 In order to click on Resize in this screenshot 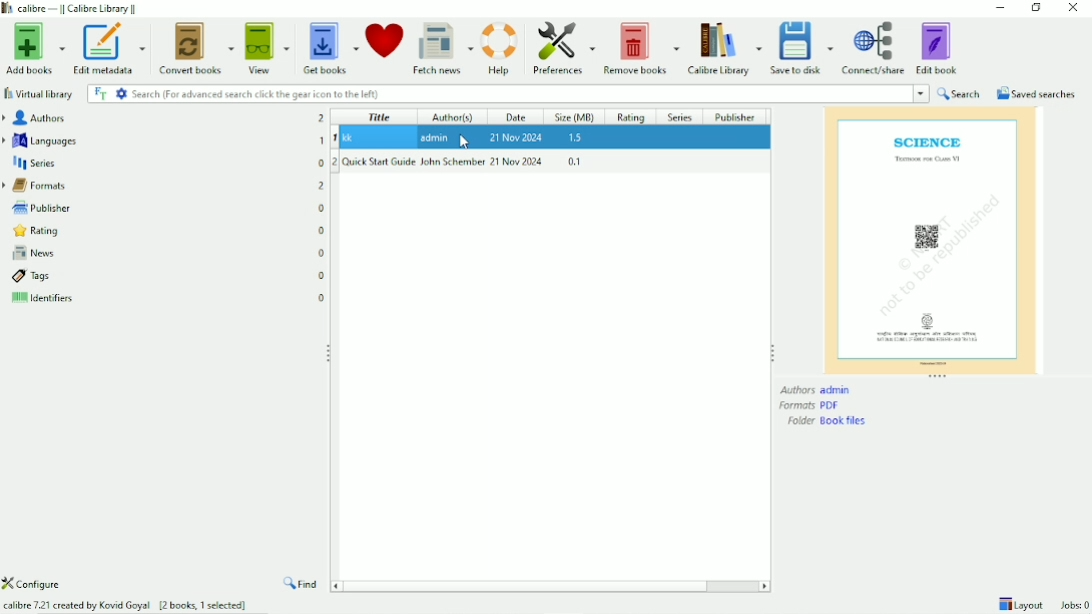, I will do `click(326, 353)`.